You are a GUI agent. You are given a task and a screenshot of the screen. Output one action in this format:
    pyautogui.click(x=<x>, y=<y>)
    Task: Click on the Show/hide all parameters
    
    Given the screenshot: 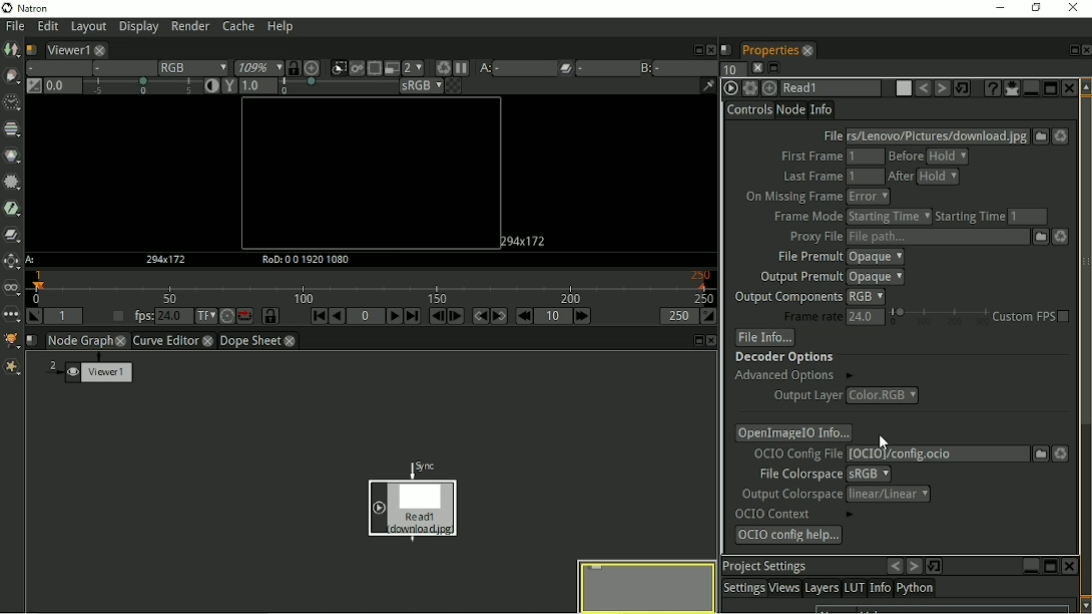 What is the action you would take?
    pyautogui.click(x=1012, y=87)
    